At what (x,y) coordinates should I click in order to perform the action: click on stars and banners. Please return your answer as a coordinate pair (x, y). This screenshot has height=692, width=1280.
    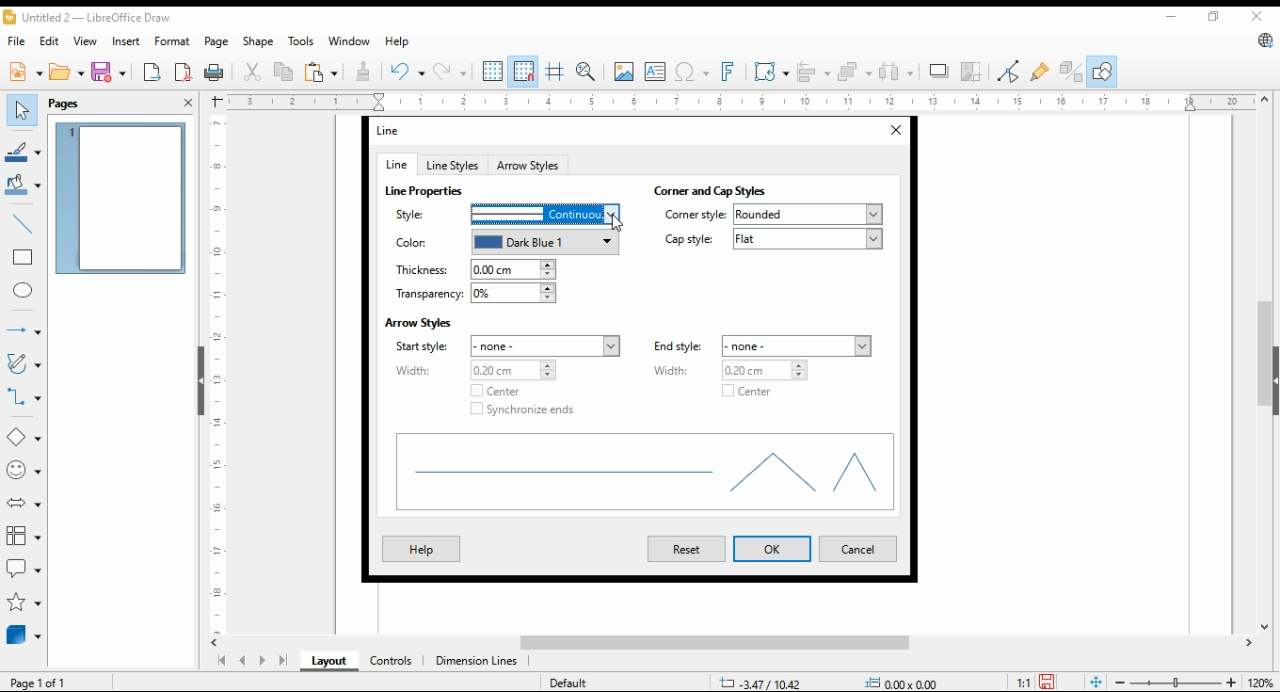
    Looking at the image, I should click on (24, 602).